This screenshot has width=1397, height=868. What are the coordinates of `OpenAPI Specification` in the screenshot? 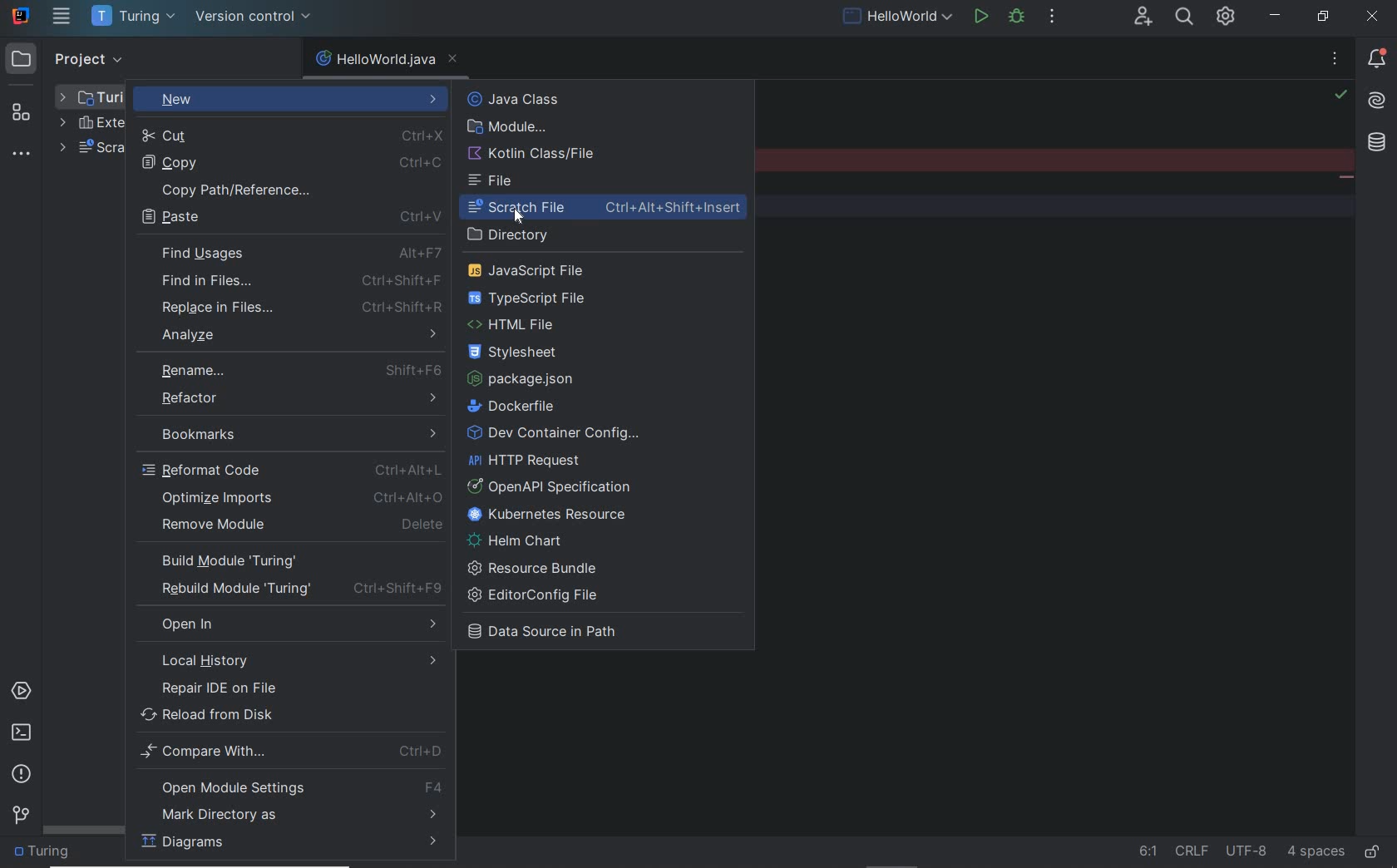 It's located at (555, 486).